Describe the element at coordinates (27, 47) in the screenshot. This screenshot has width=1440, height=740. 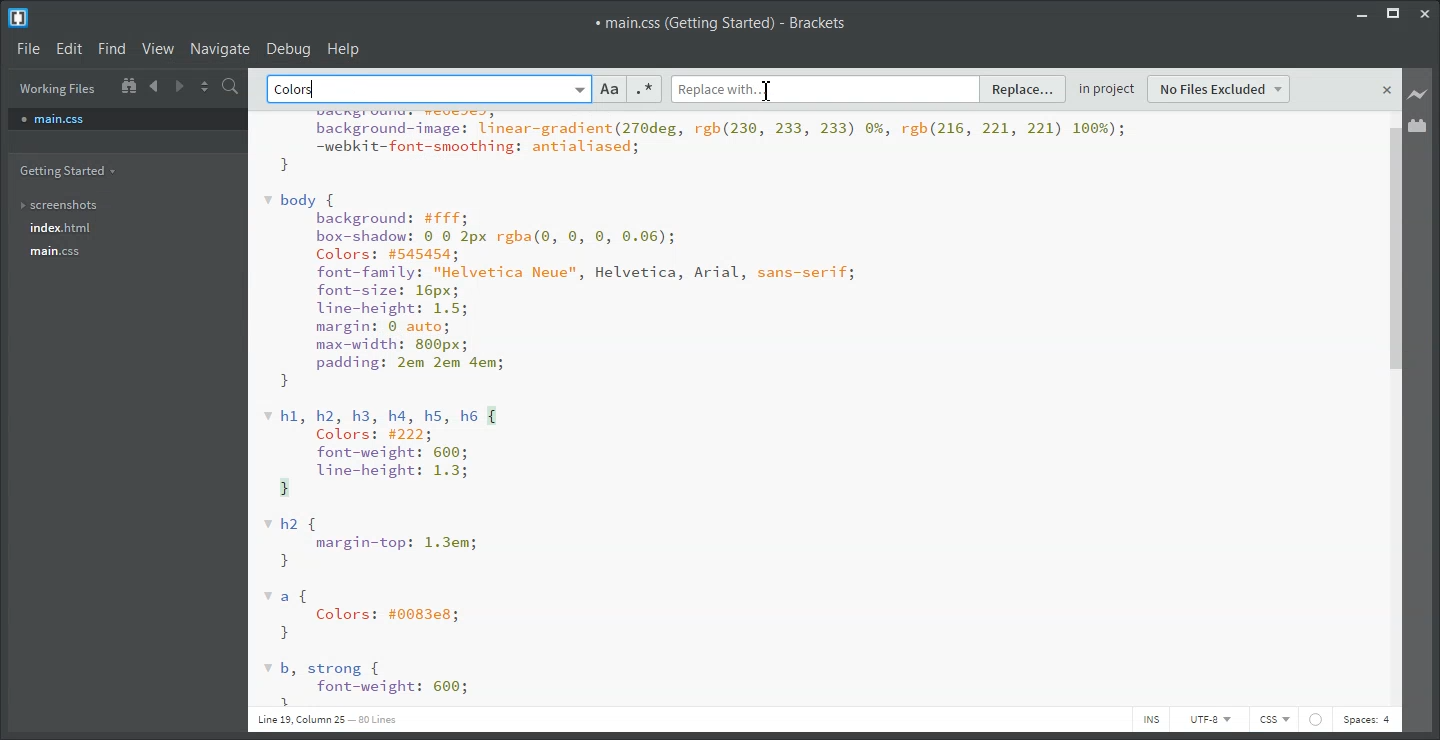
I see `File` at that location.